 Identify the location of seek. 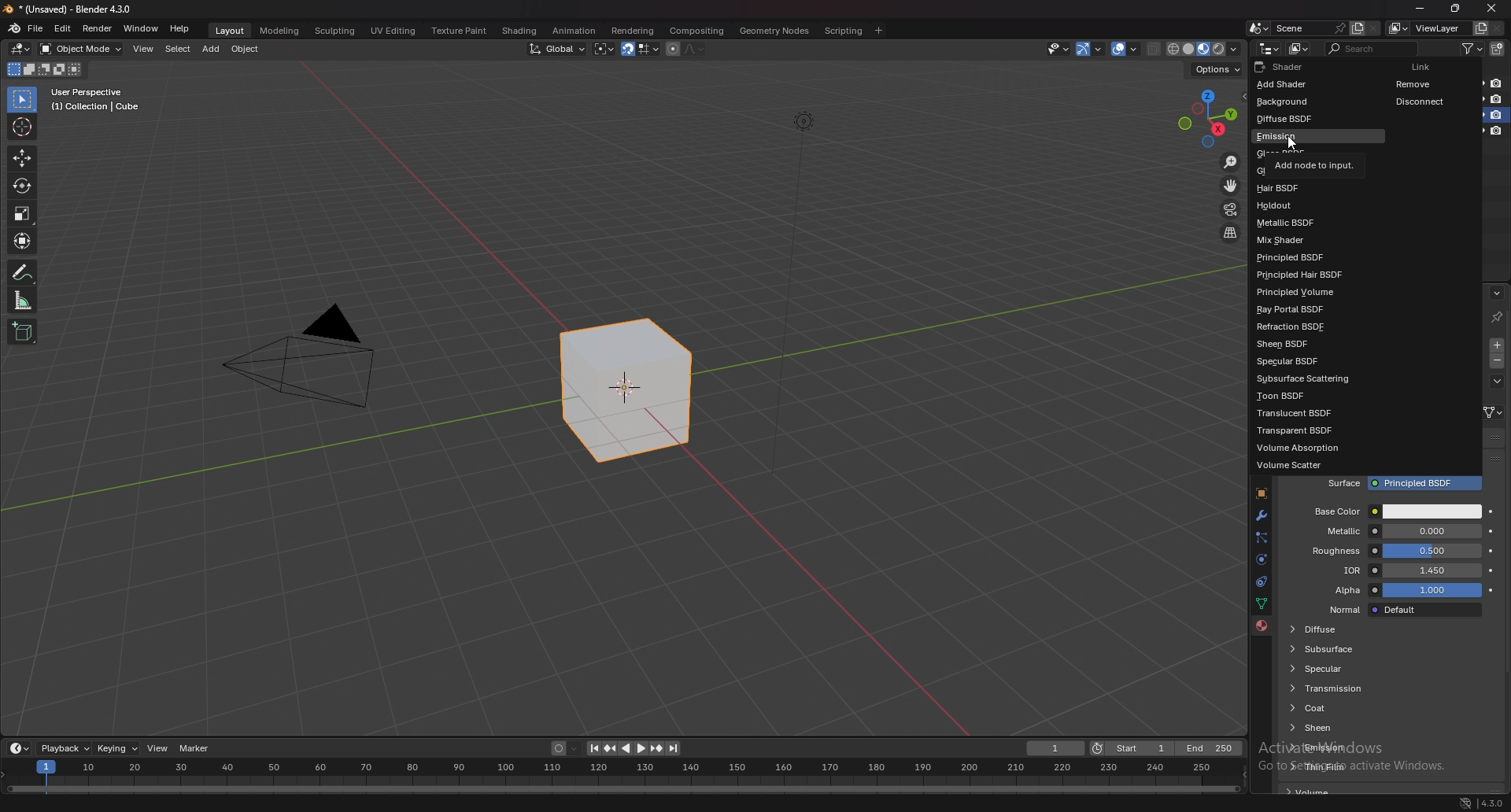
(623, 777).